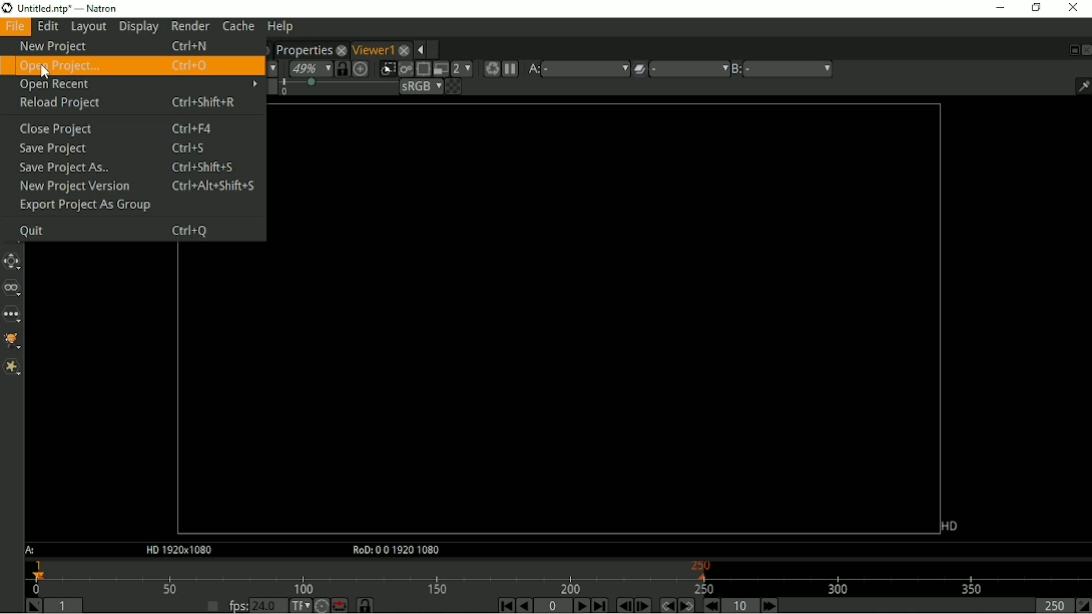  I want to click on Set playback out point, so click(1083, 605).